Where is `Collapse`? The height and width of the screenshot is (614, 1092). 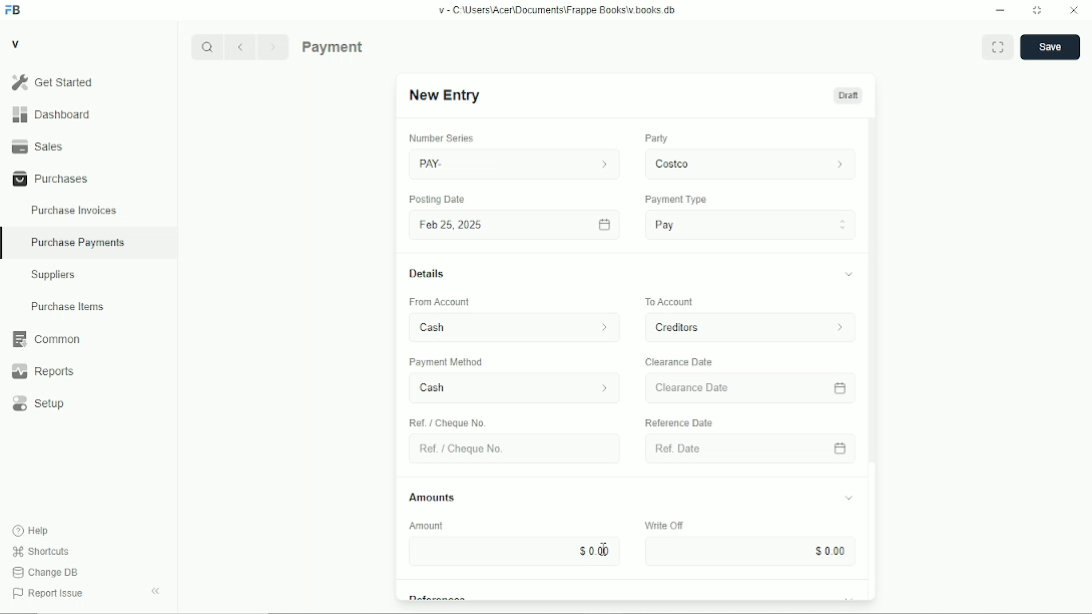 Collapse is located at coordinates (155, 591).